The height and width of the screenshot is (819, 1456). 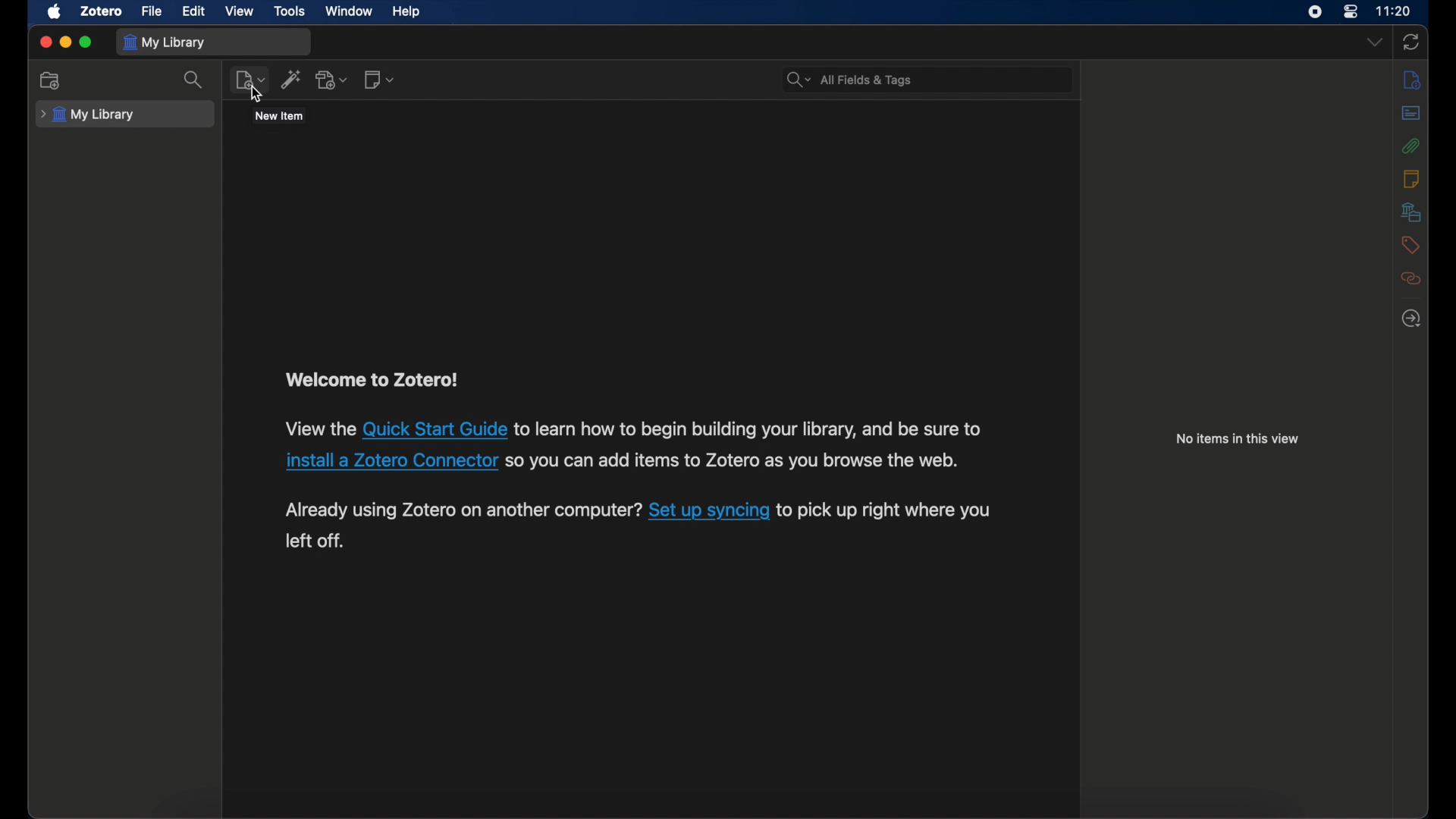 What do you see at coordinates (332, 80) in the screenshot?
I see `add attachment` at bounding box center [332, 80].